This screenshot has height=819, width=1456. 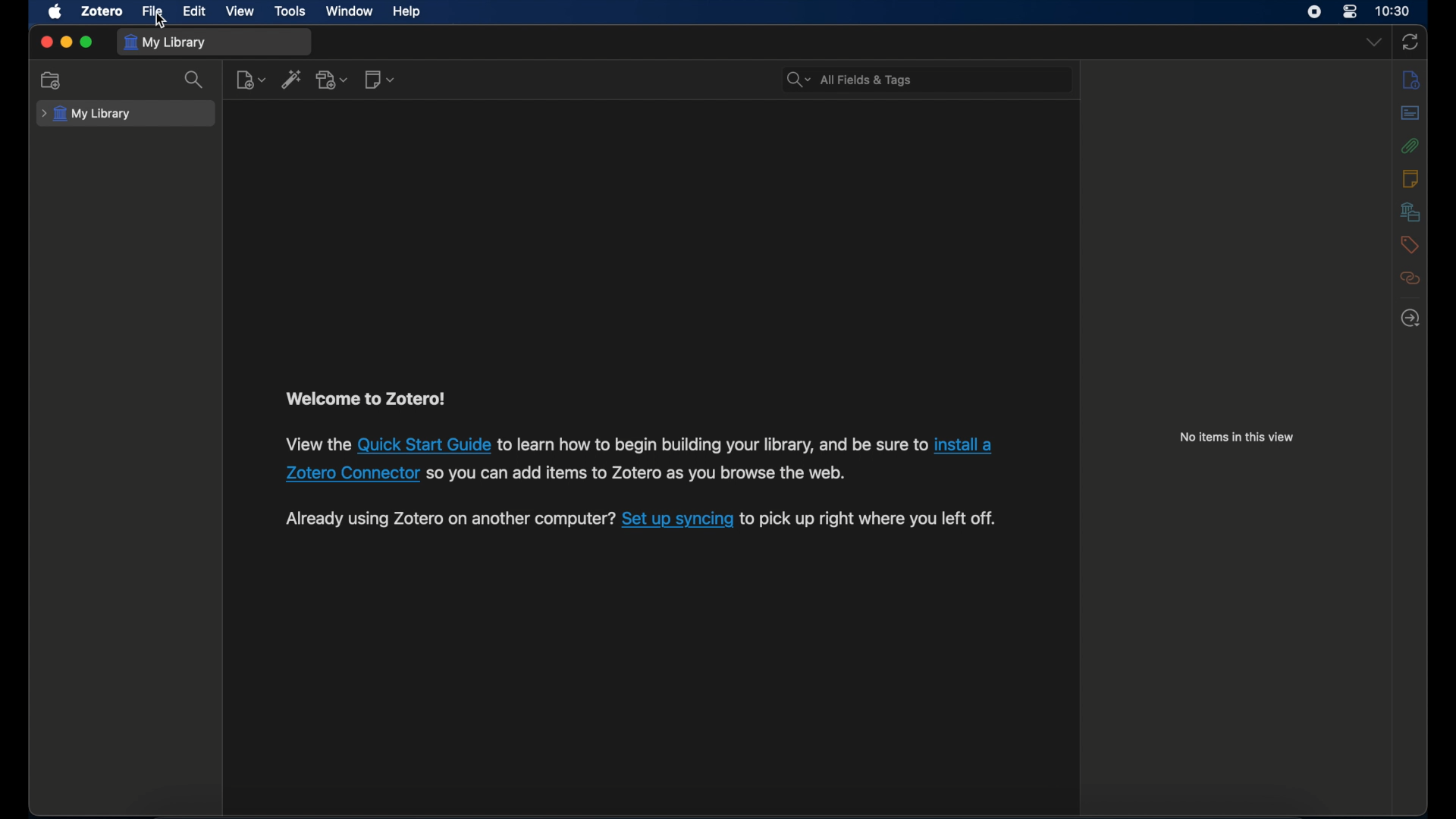 What do you see at coordinates (451, 519) in the screenshot?
I see `` at bounding box center [451, 519].